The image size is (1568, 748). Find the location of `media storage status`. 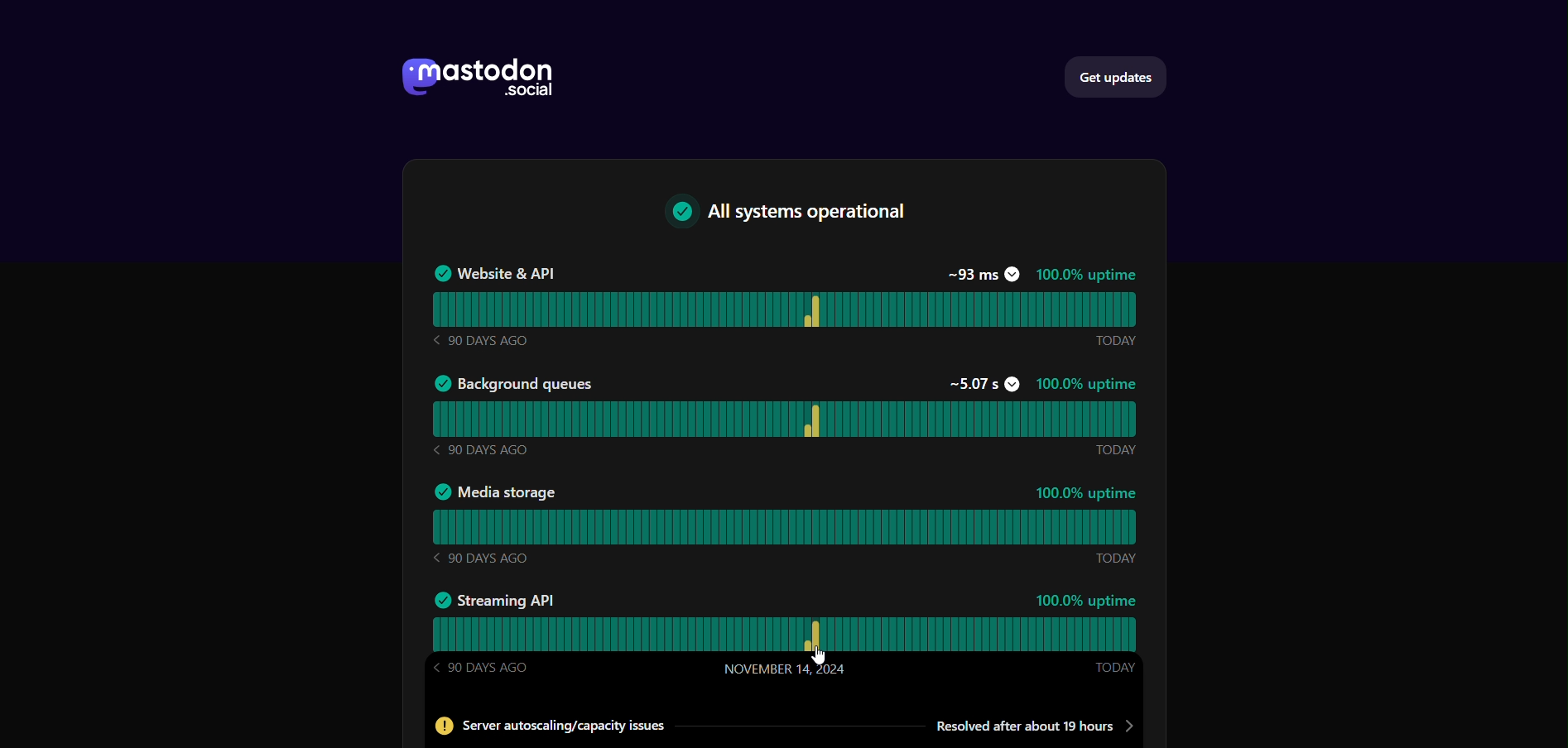

media storage status is located at coordinates (784, 529).